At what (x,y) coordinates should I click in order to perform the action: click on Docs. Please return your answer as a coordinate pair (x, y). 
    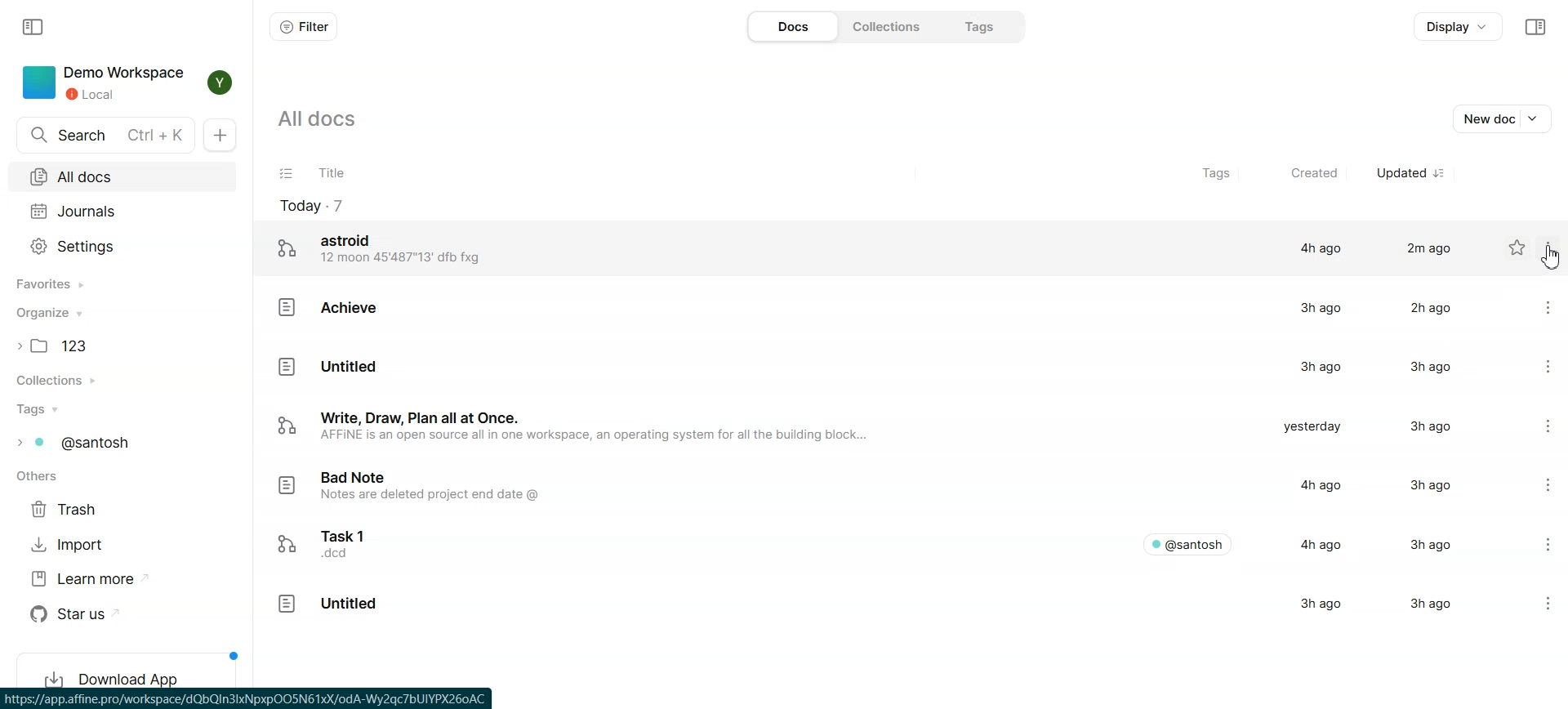
    Looking at the image, I should click on (792, 27).